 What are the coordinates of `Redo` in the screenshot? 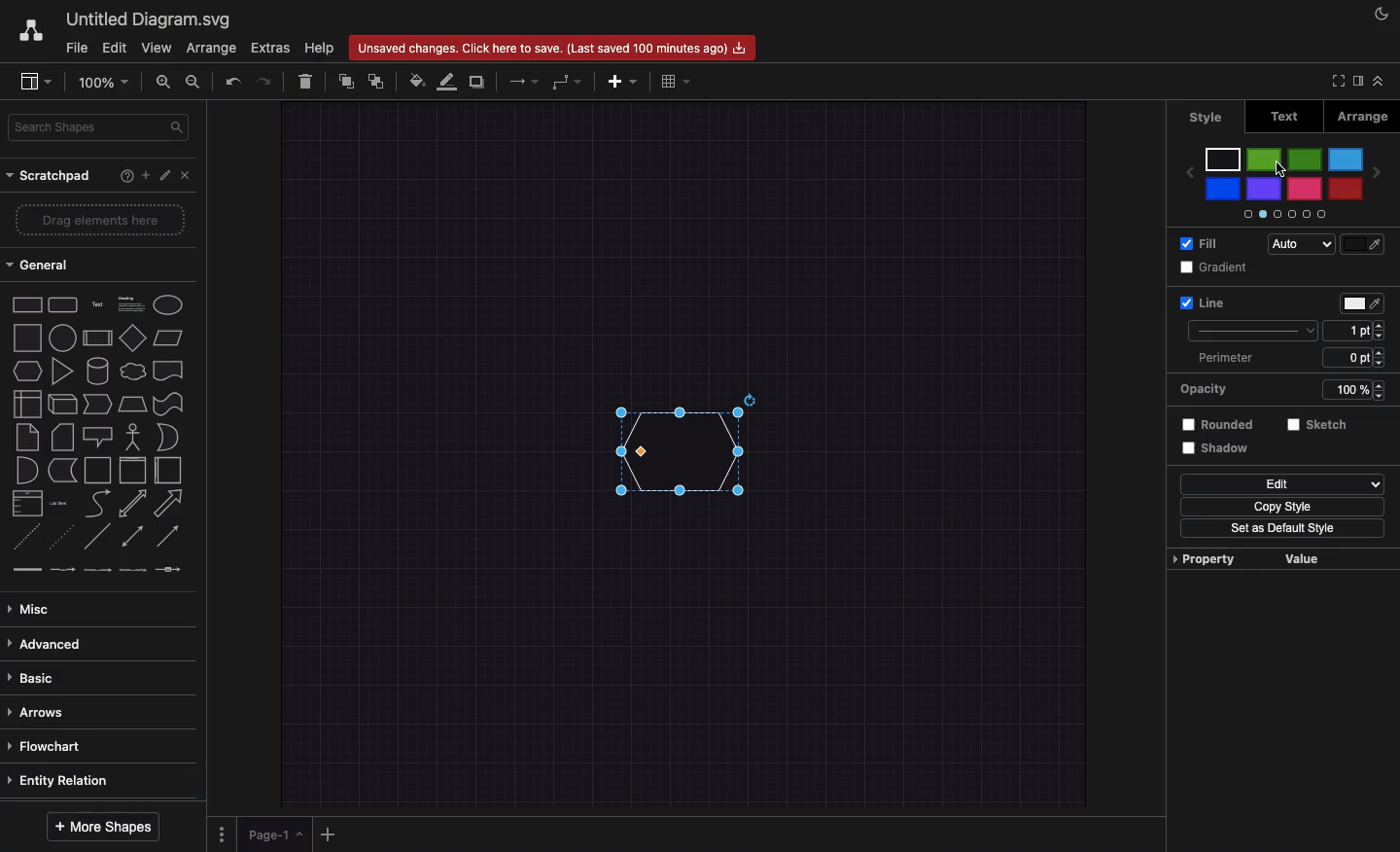 It's located at (262, 83).